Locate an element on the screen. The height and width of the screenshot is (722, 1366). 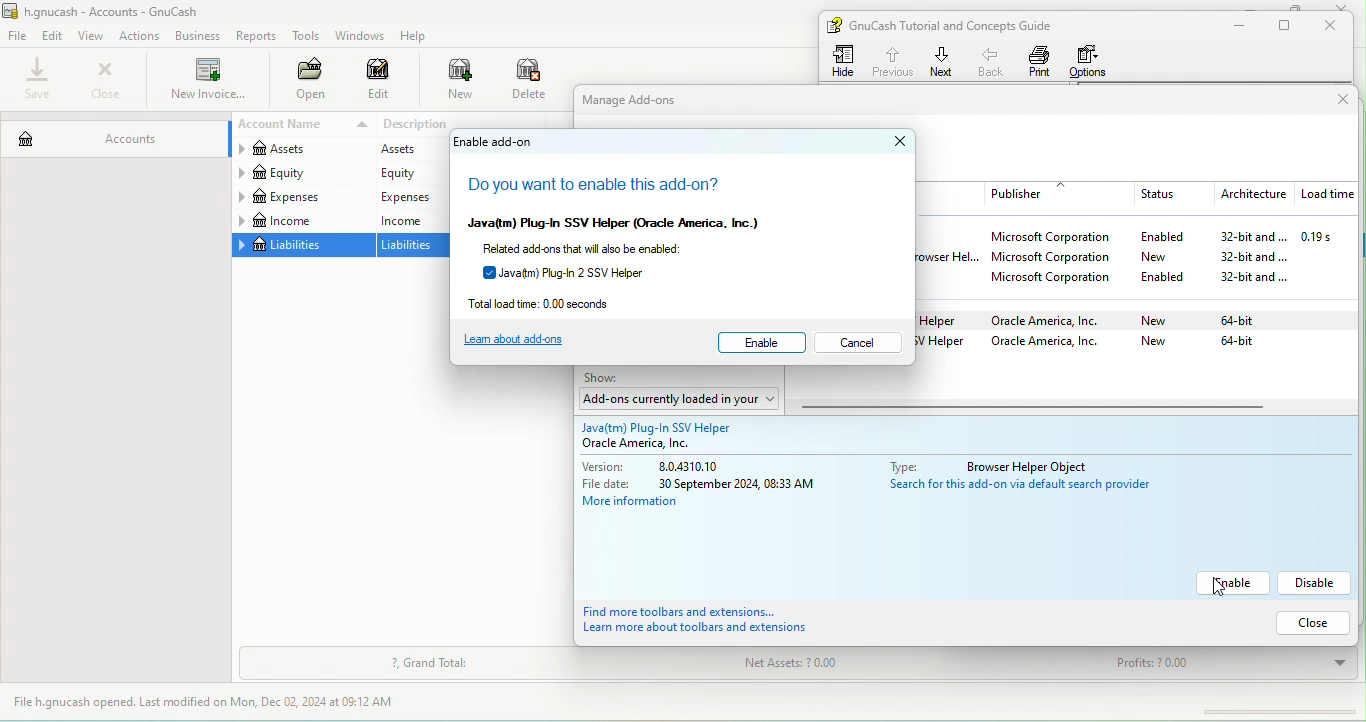
enable is located at coordinates (764, 342).